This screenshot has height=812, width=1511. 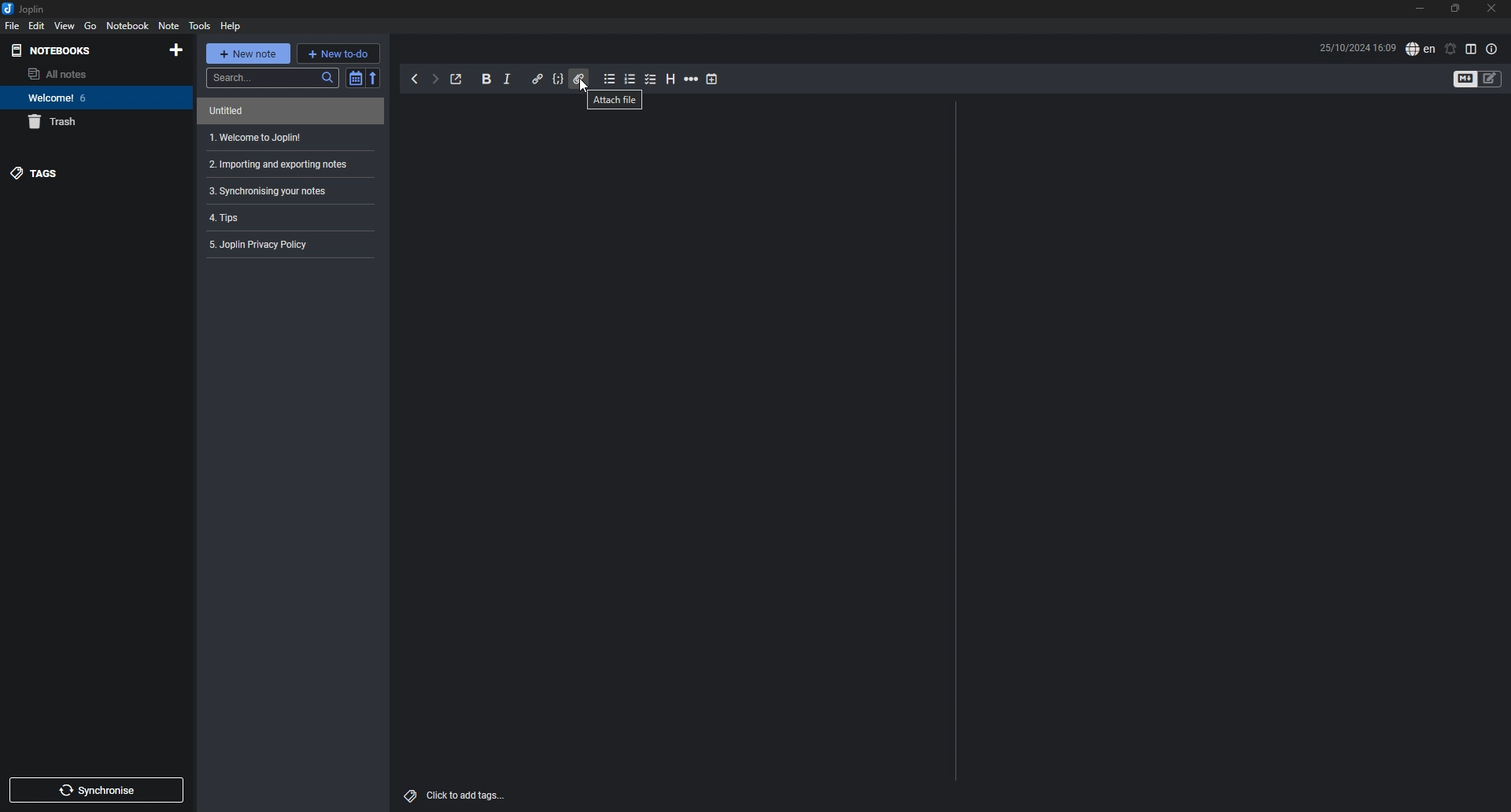 What do you see at coordinates (89, 174) in the screenshot?
I see `tags` at bounding box center [89, 174].